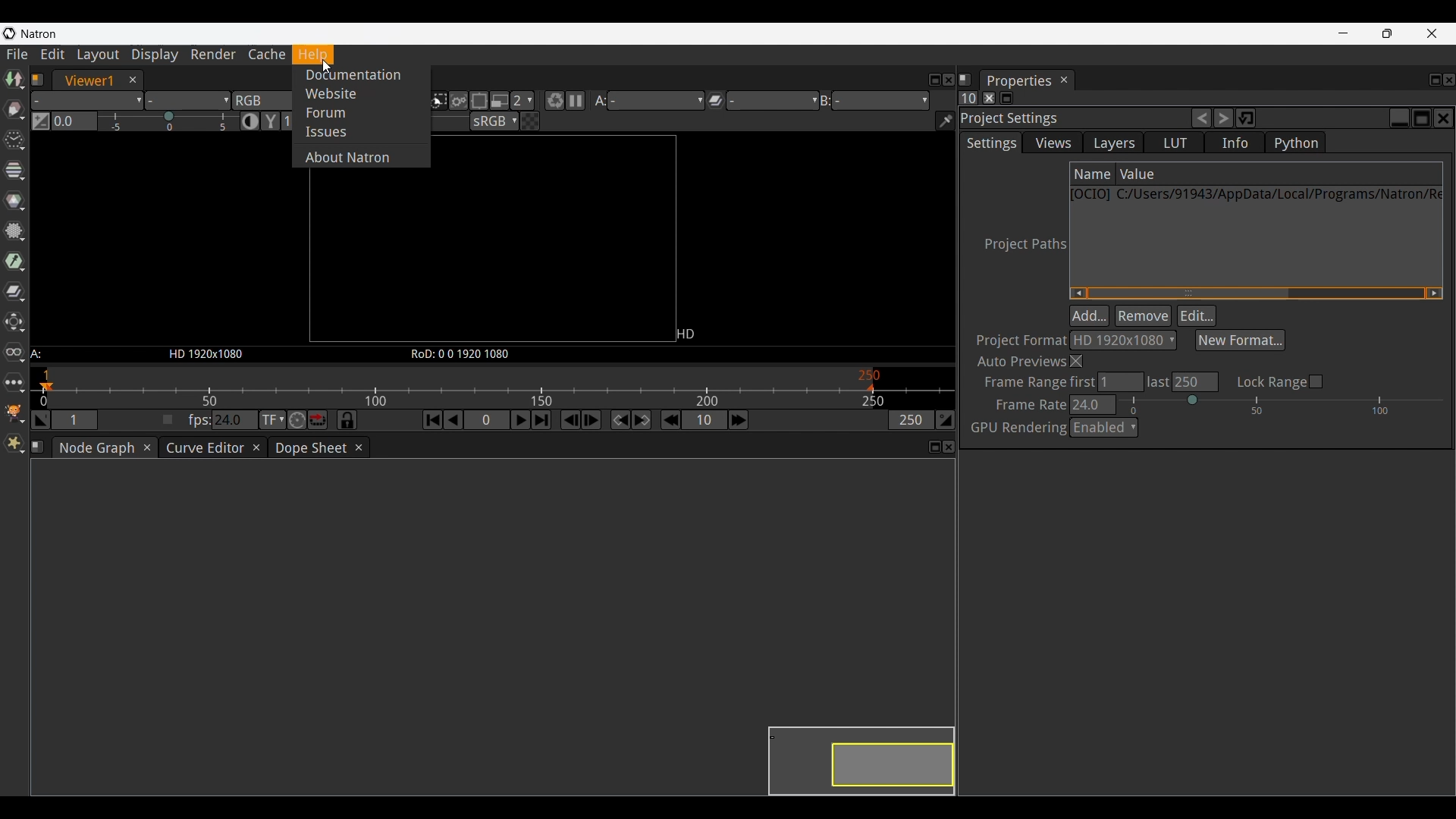 The image size is (1456, 819). Describe the element at coordinates (1052, 405) in the screenshot. I see `Frame Rate 24.0` at that location.